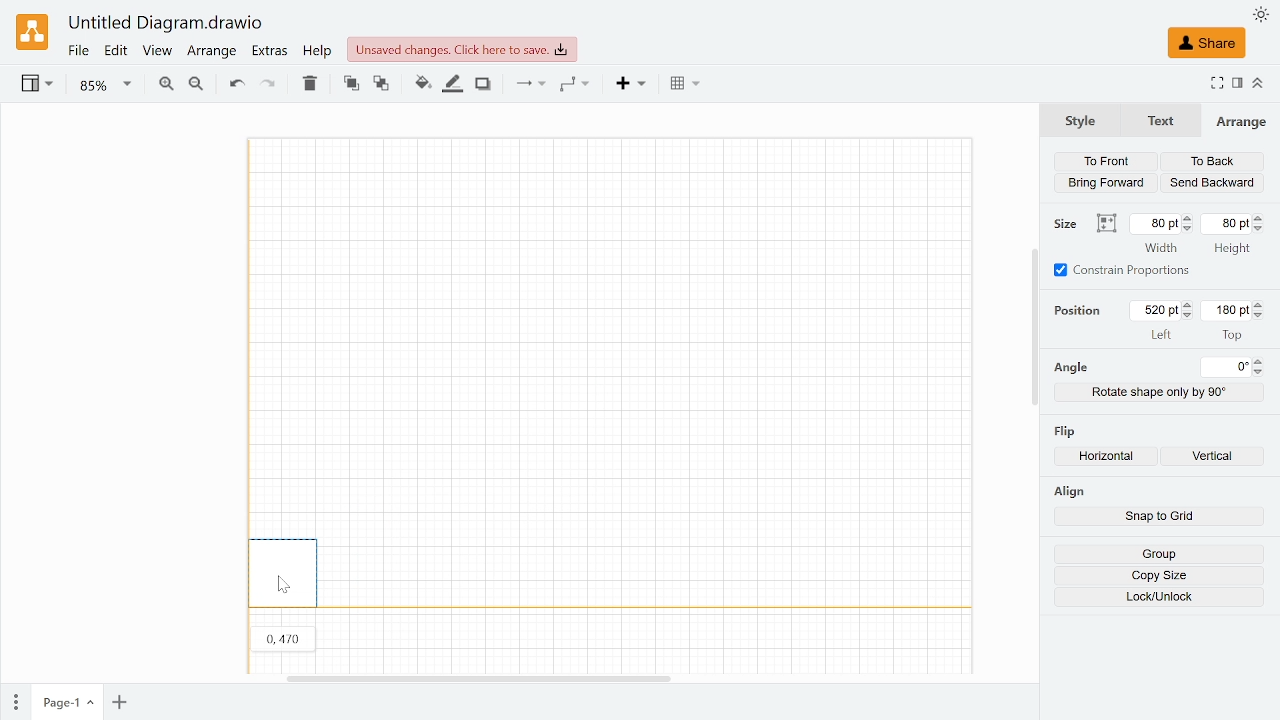 This screenshot has width=1280, height=720. Describe the element at coordinates (1261, 372) in the screenshot. I see `Decrease angle` at that location.